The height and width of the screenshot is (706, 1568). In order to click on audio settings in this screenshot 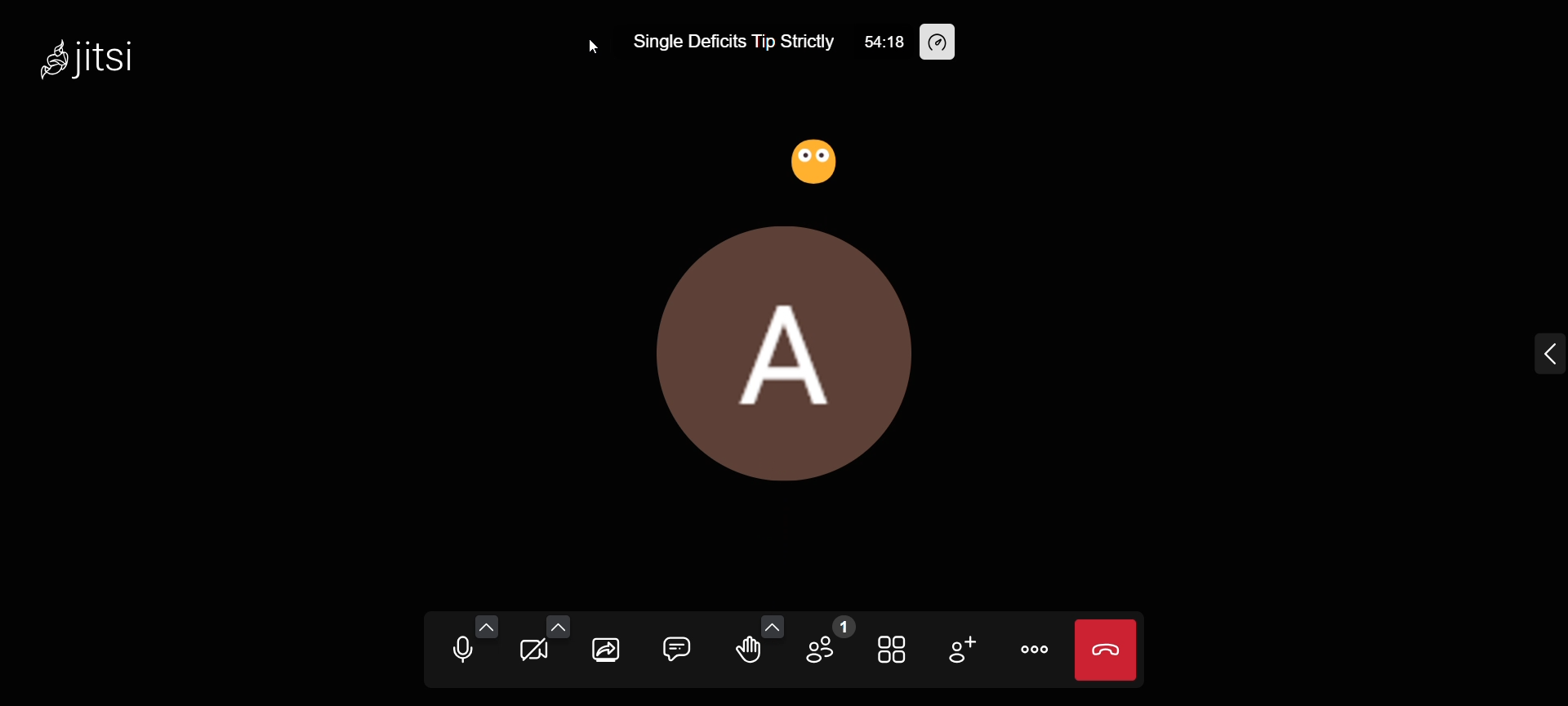, I will do `click(488, 626)`.